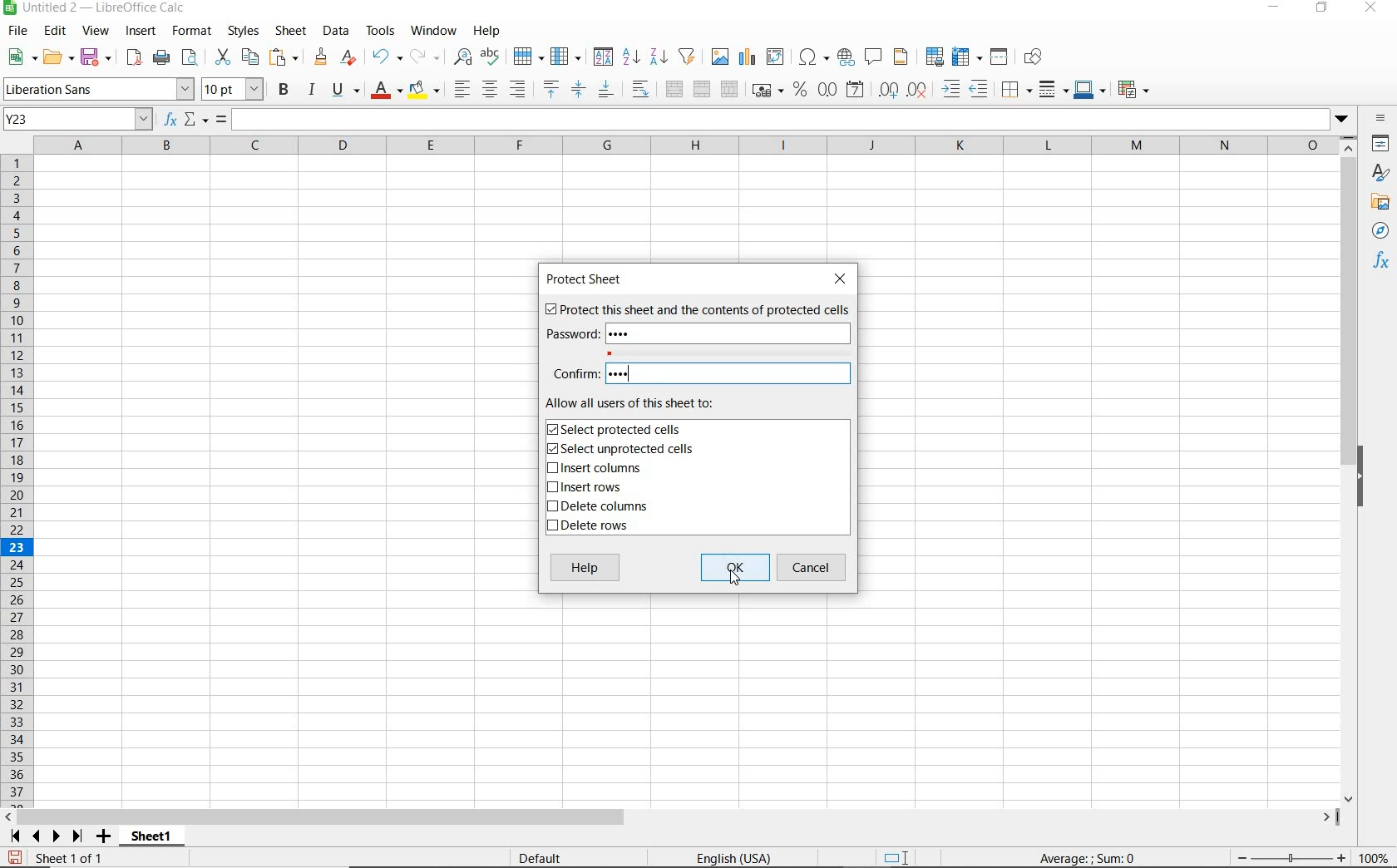 This screenshot has width=1397, height=868. Describe the element at coordinates (96, 57) in the screenshot. I see `SAVE` at that location.